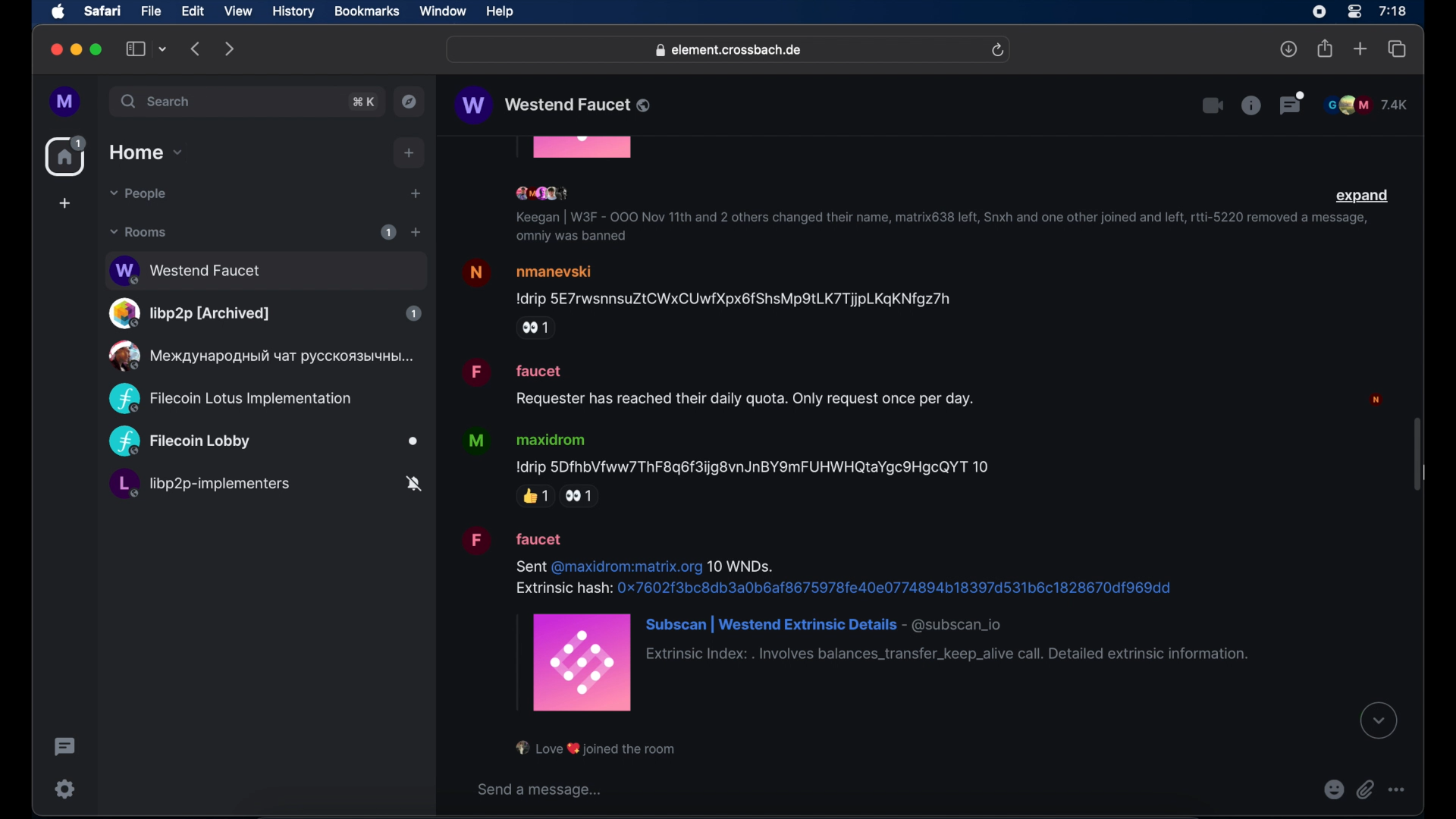  Describe the element at coordinates (64, 203) in the screenshot. I see `create space` at that location.